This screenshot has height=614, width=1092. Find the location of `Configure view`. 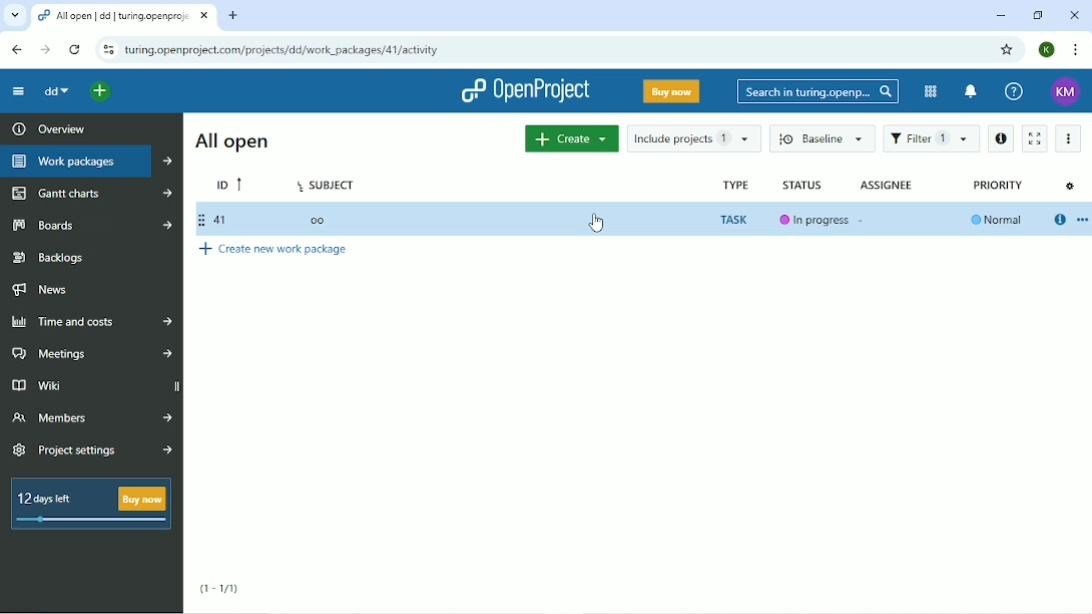

Configure view is located at coordinates (1070, 186).